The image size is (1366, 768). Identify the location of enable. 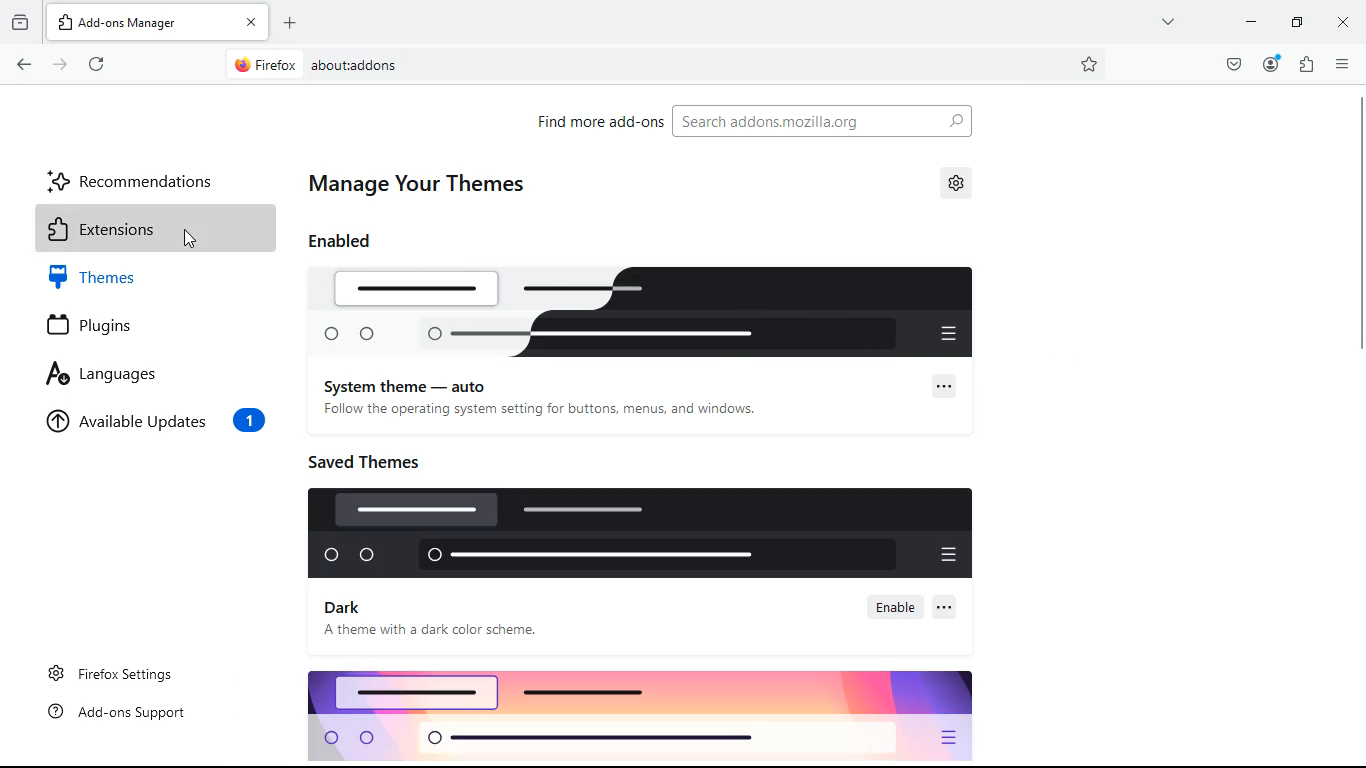
(897, 607).